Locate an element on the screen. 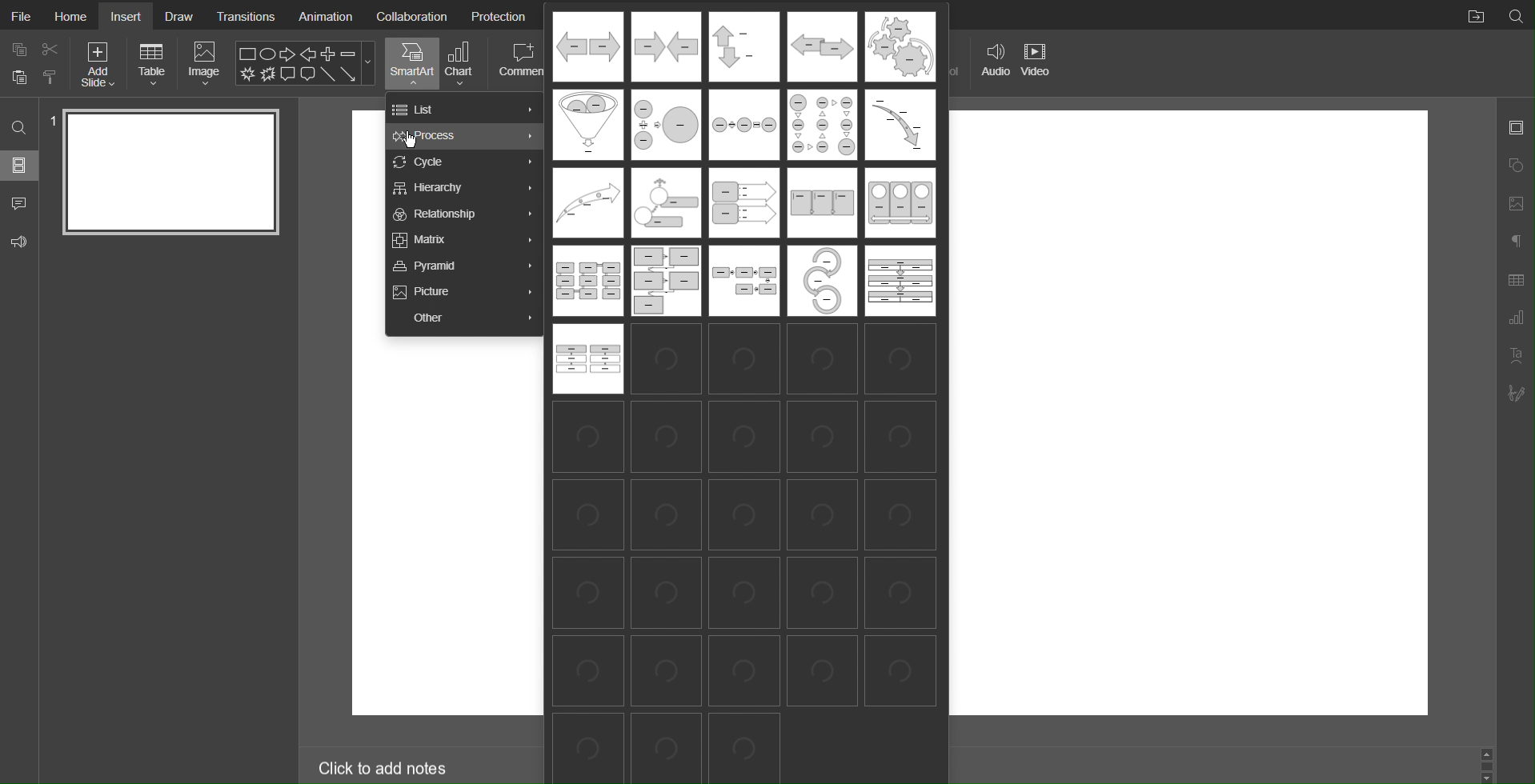 This screenshot has height=784, width=1535. Process is located at coordinates (463, 138).